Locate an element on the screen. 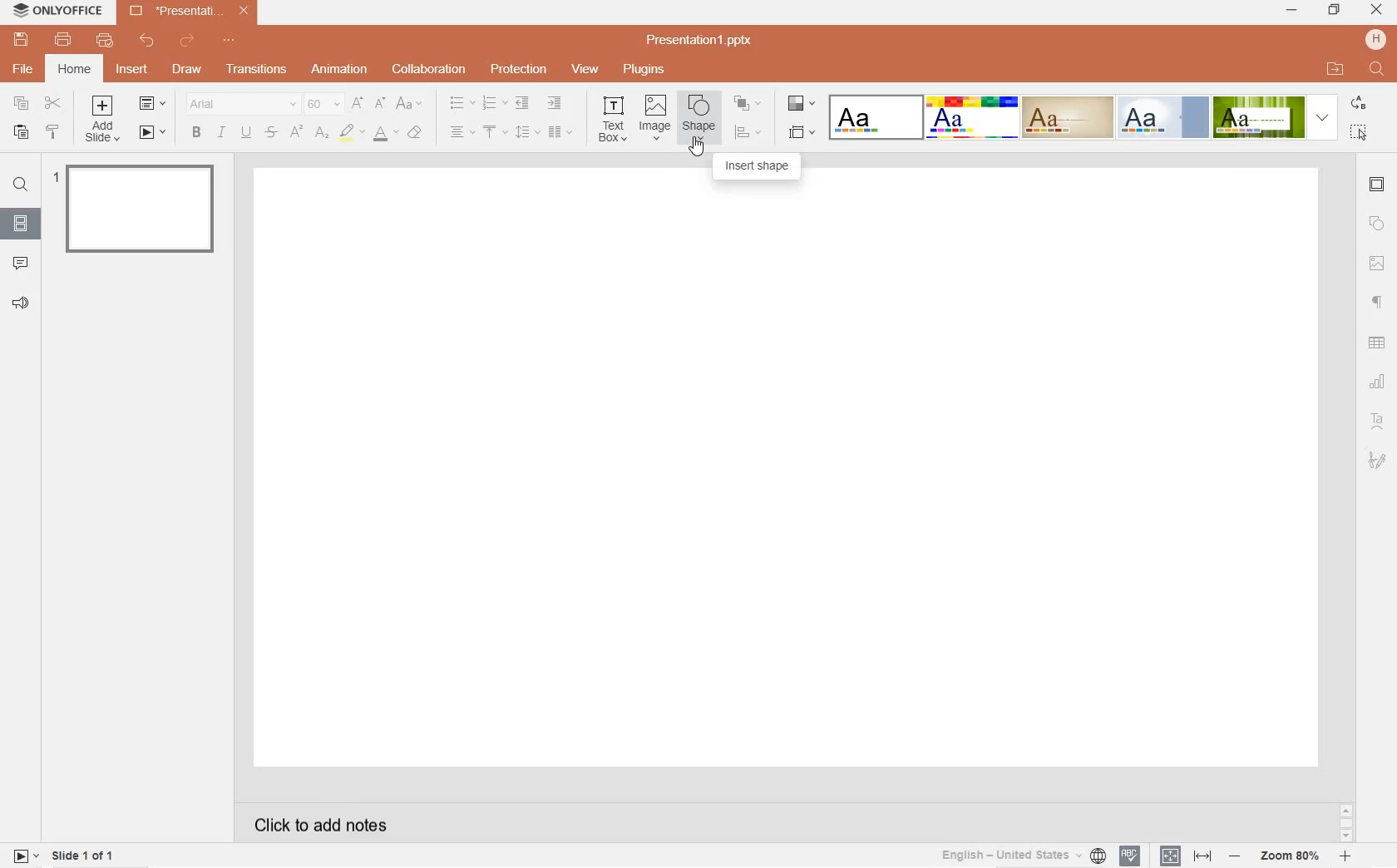 The width and height of the screenshot is (1397, 868). Basic is located at coordinates (972, 117).